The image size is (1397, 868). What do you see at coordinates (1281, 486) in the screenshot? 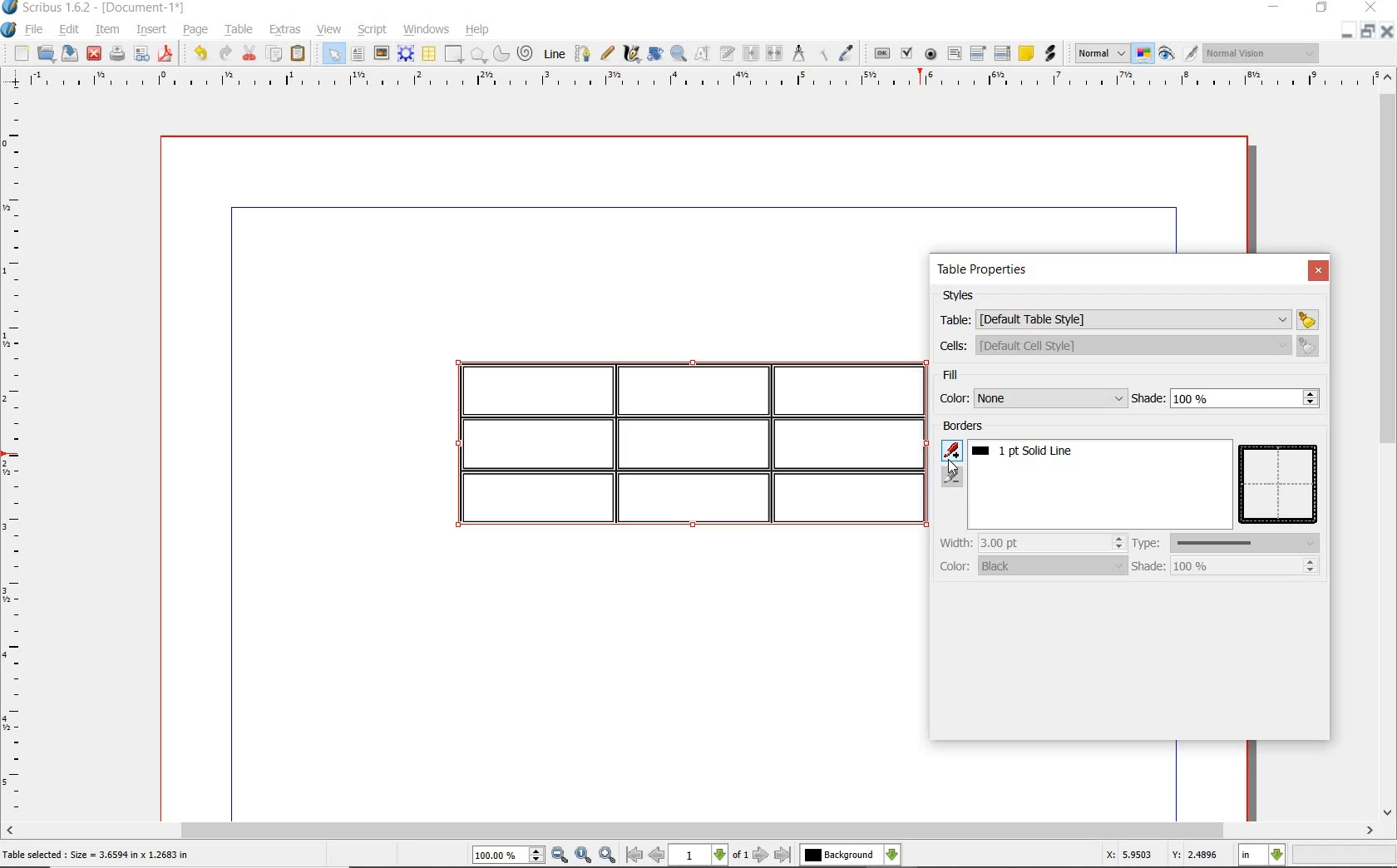
I see `table preview` at bounding box center [1281, 486].